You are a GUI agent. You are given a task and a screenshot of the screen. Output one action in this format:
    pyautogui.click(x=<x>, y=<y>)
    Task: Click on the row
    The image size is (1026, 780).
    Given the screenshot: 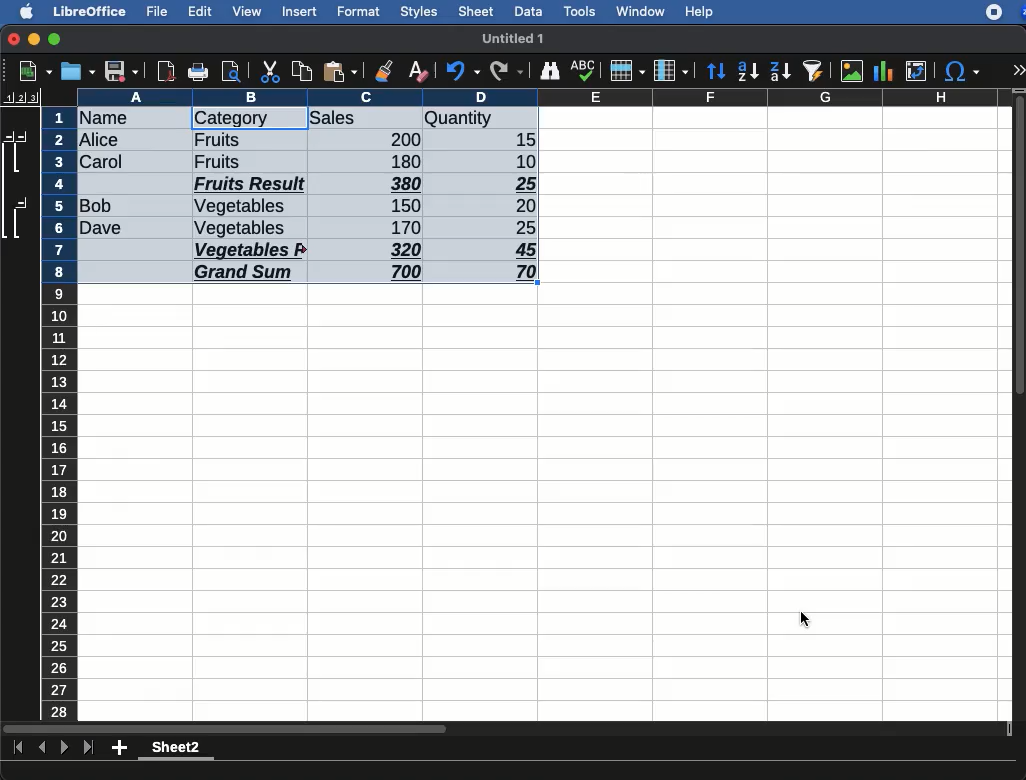 What is the action you would take?
    pyautogui.click(x=58, y=410)
    